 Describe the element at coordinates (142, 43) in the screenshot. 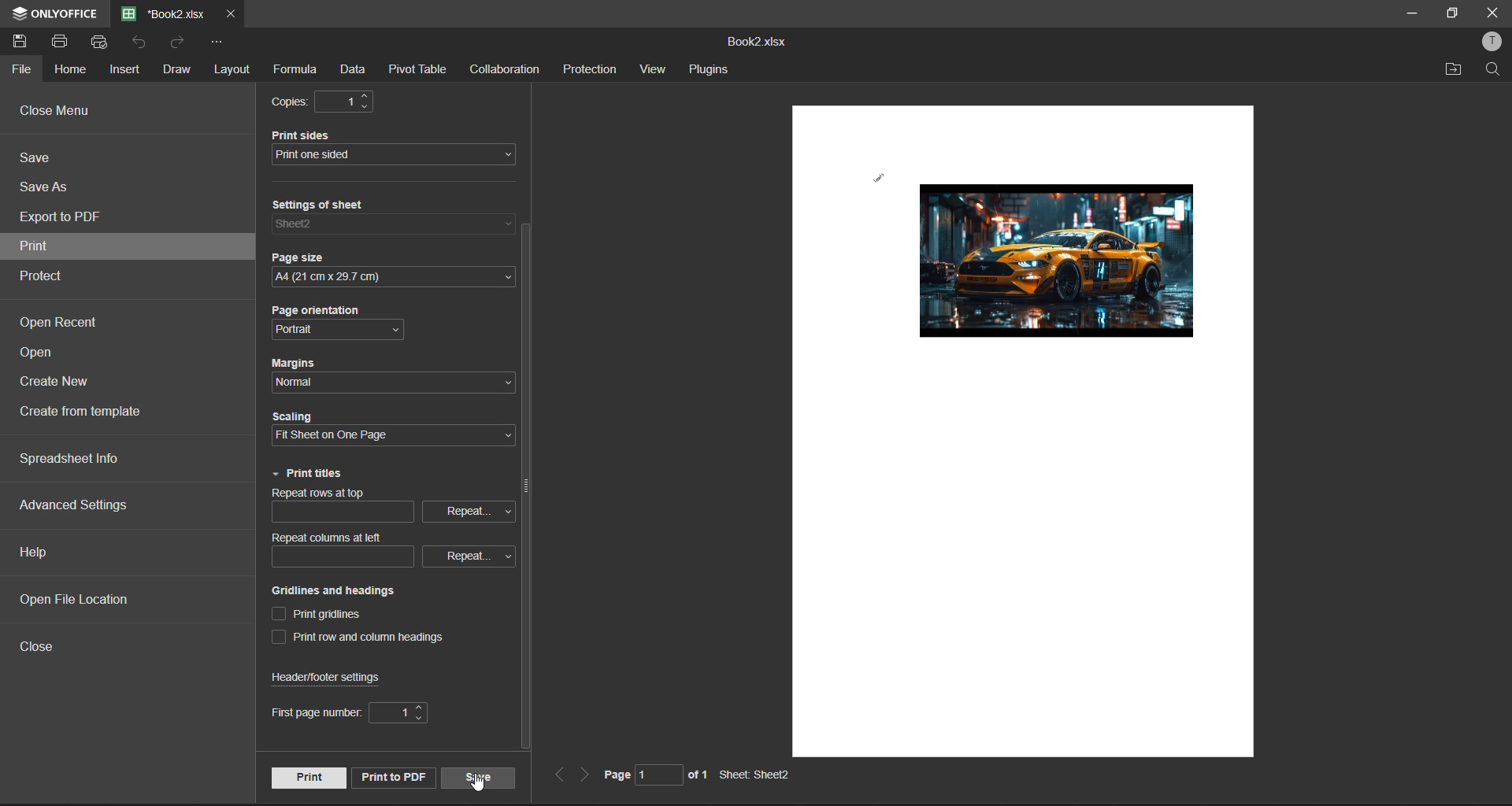

I see `undo` at that location.